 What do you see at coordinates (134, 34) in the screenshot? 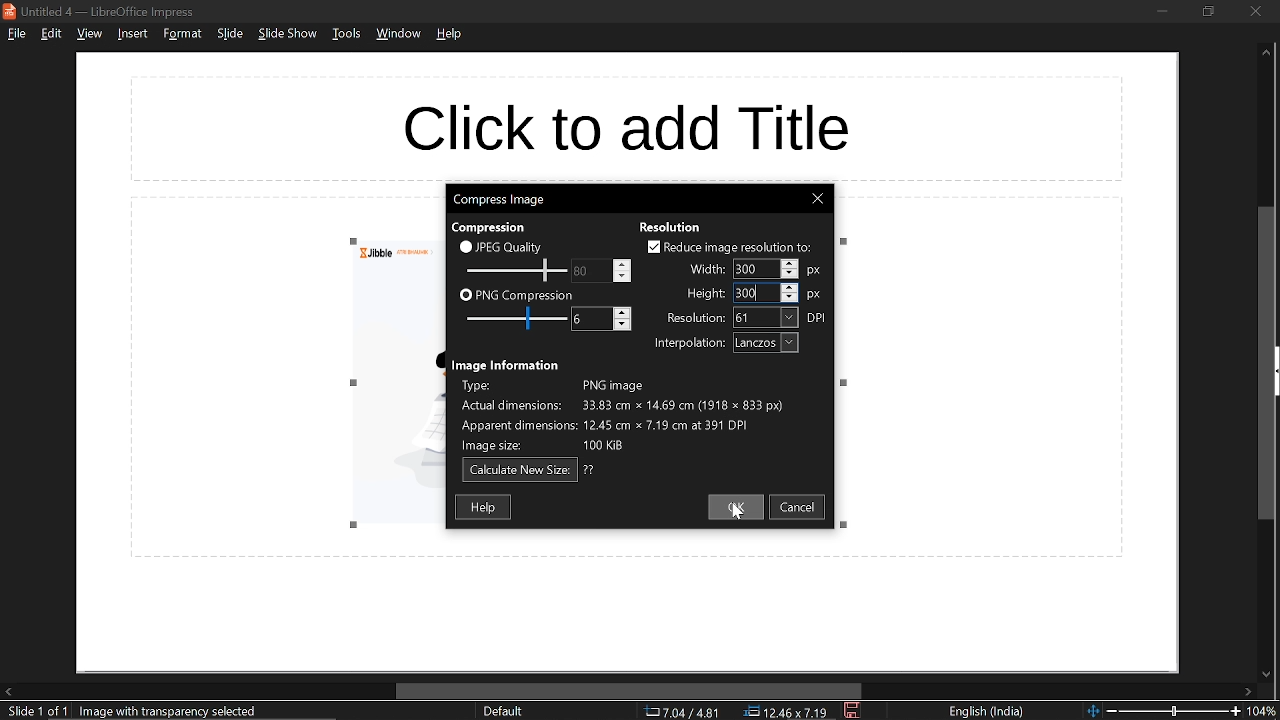
I see `insert` at bounding box center [134, 34].